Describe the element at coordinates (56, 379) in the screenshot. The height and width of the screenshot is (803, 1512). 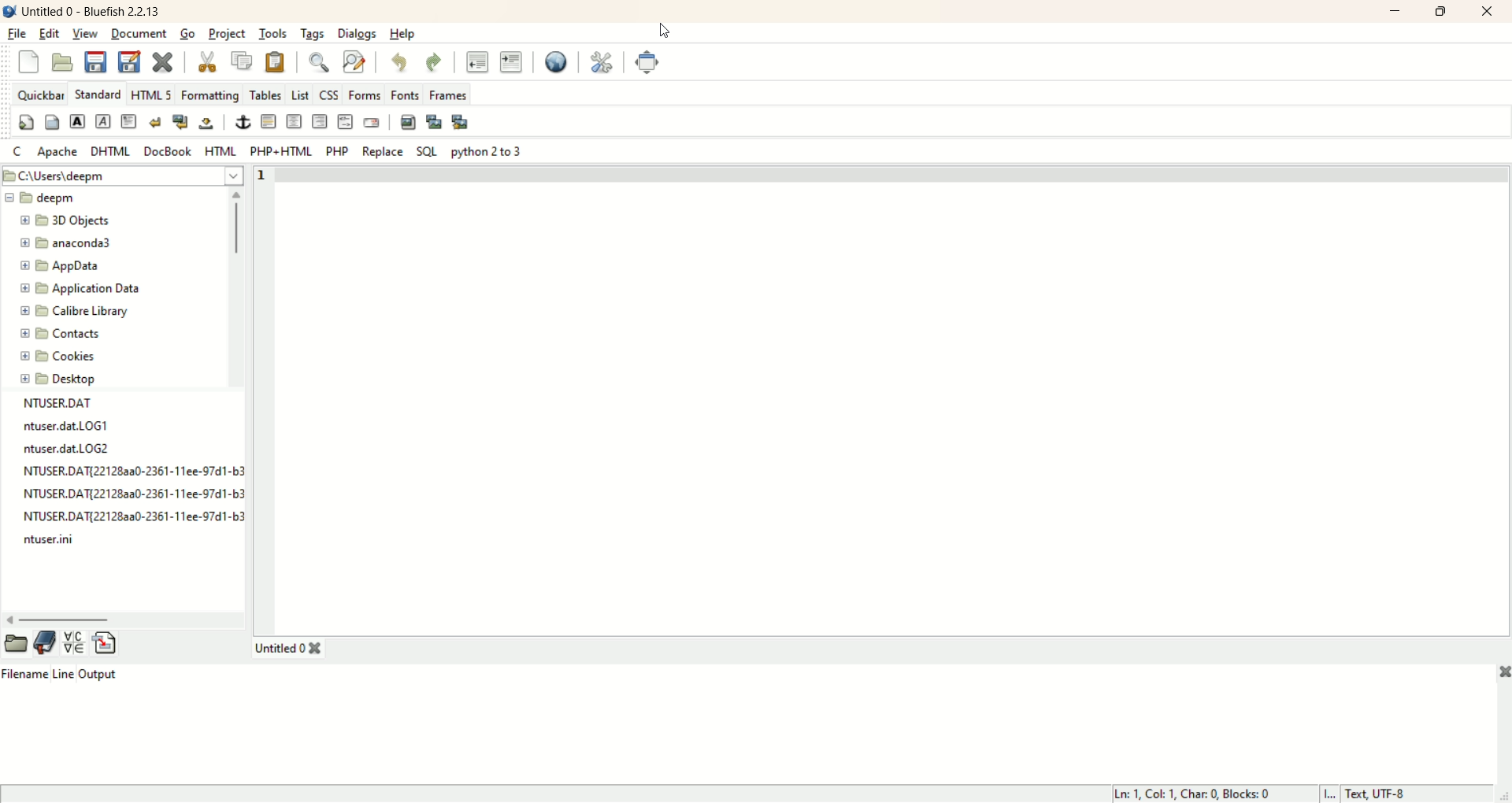
I see `desktop` at that location.